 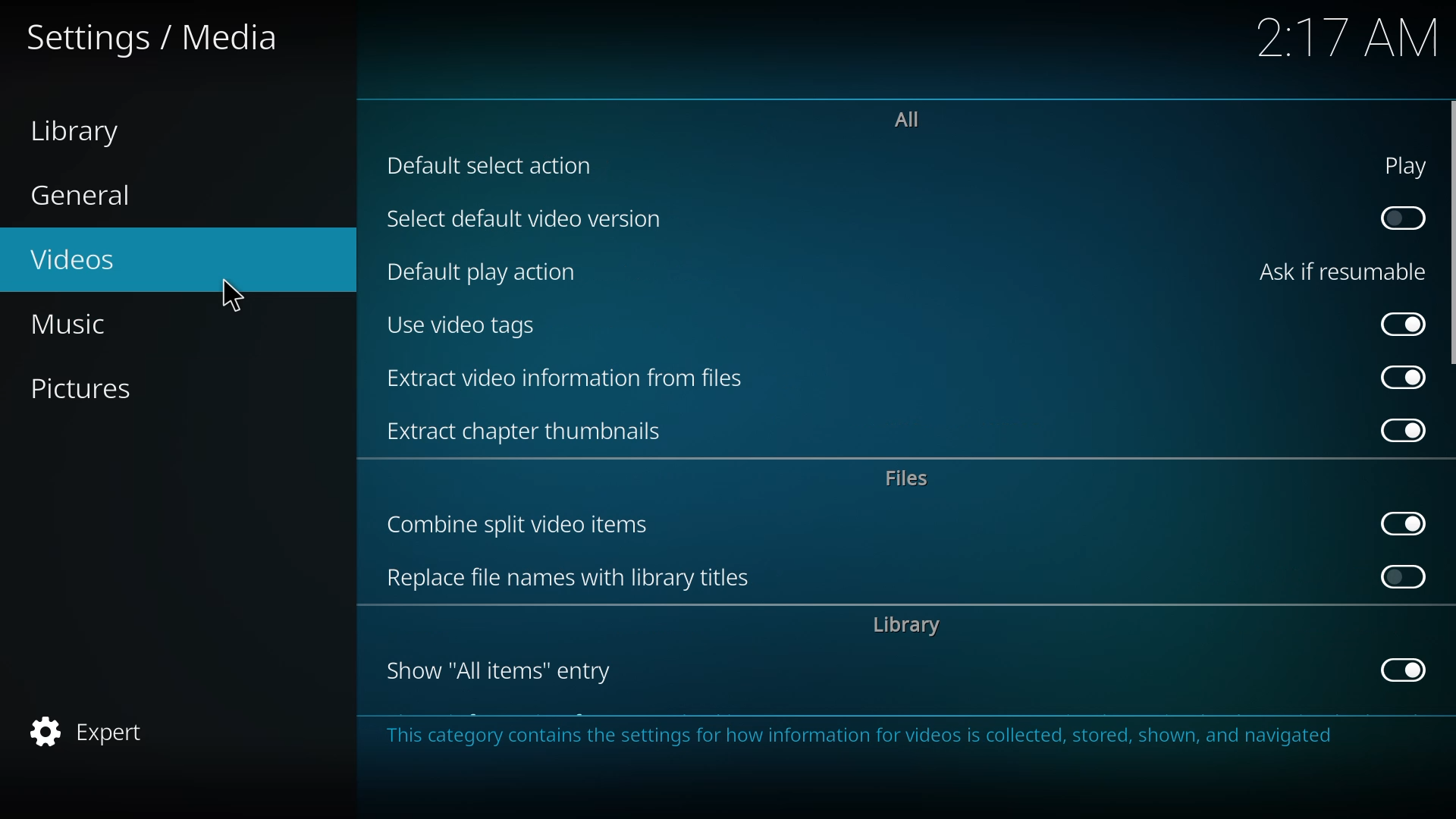 What do you see at coordinates (908, 626) in the screenshot?
I see `library` at bounding box center [908, 626].